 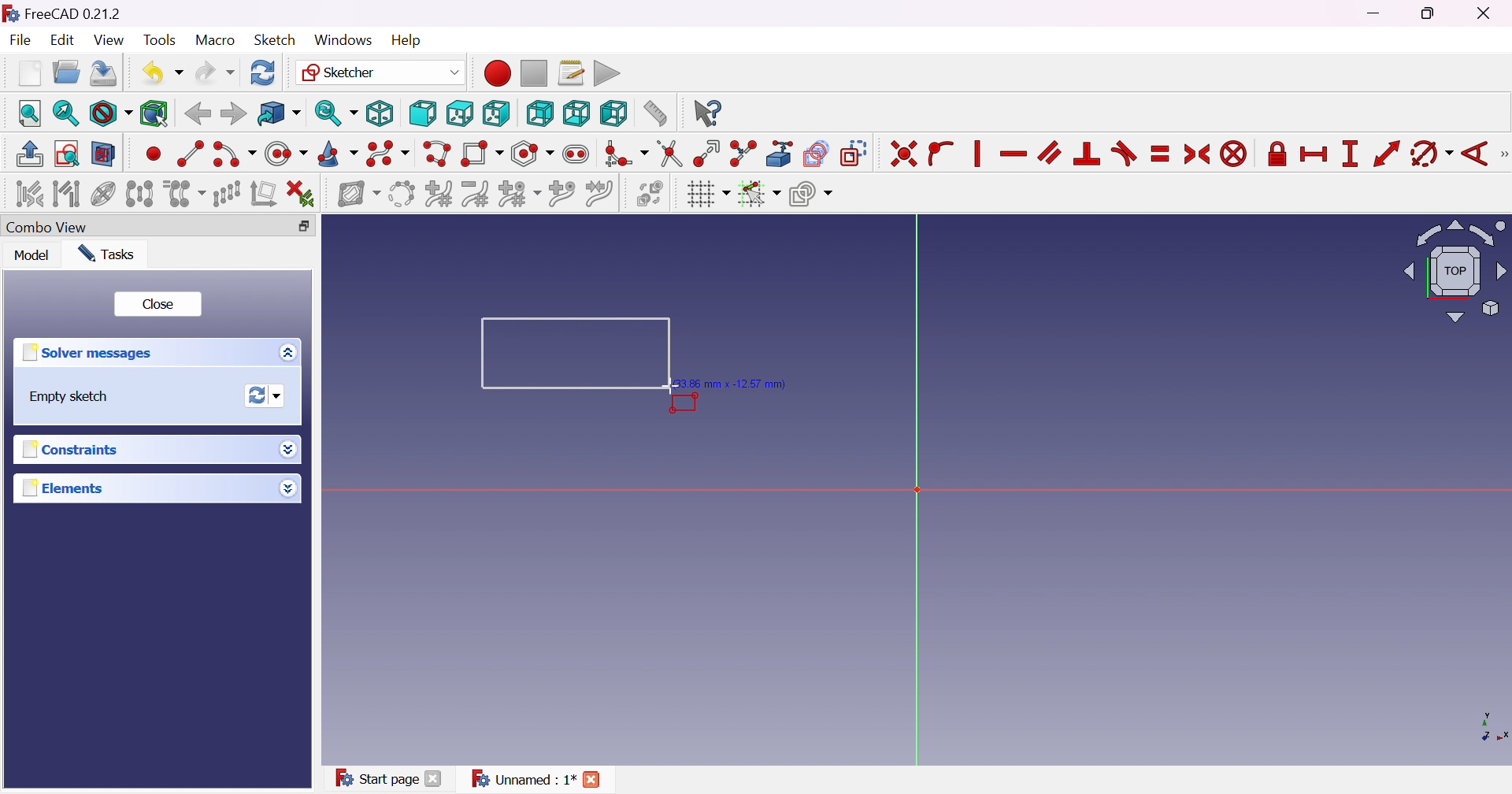 I want to click on Create regular polygon, so click(x=533, y=154).